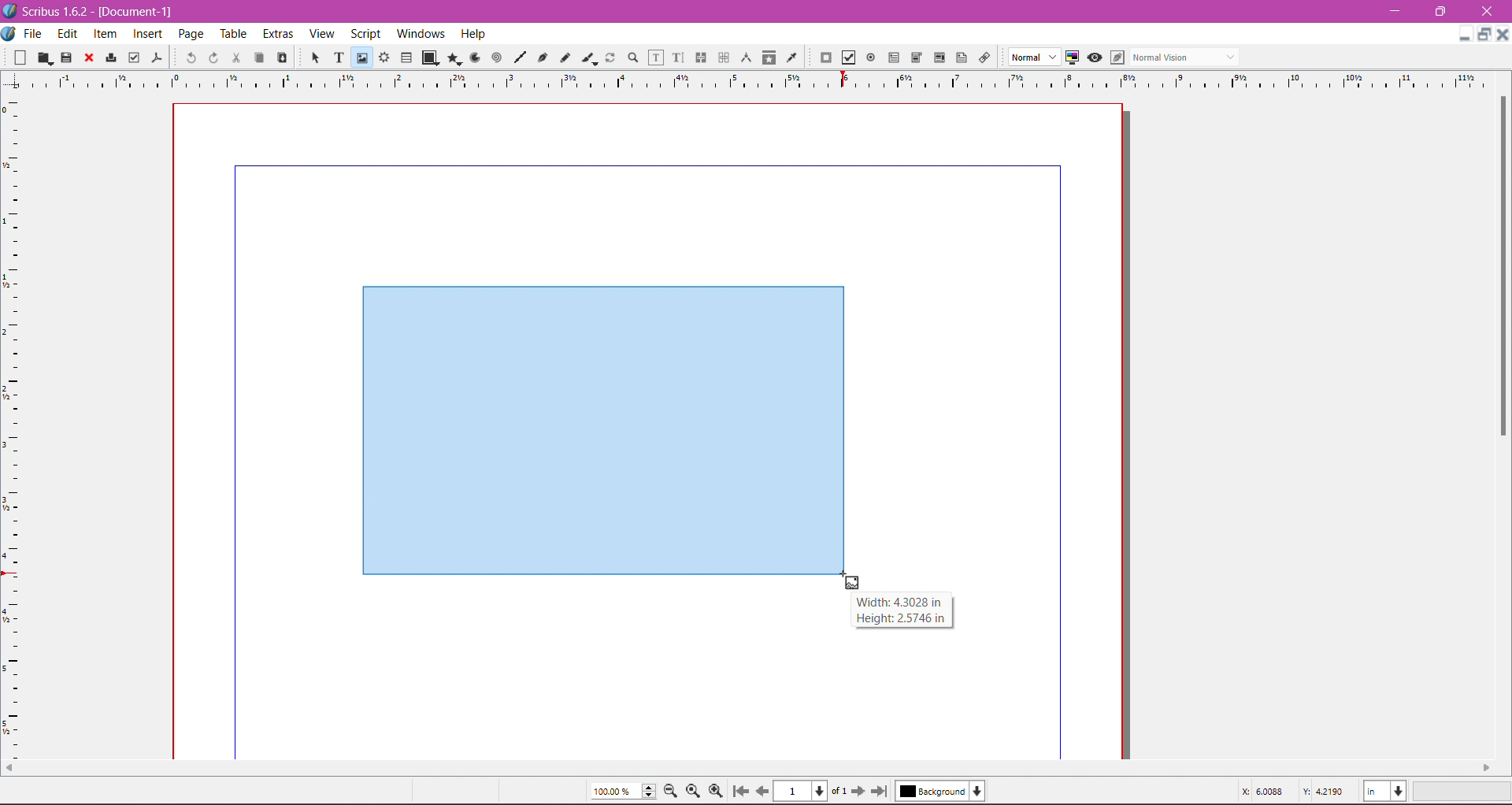  I want to click on Help, so click(473, 34).